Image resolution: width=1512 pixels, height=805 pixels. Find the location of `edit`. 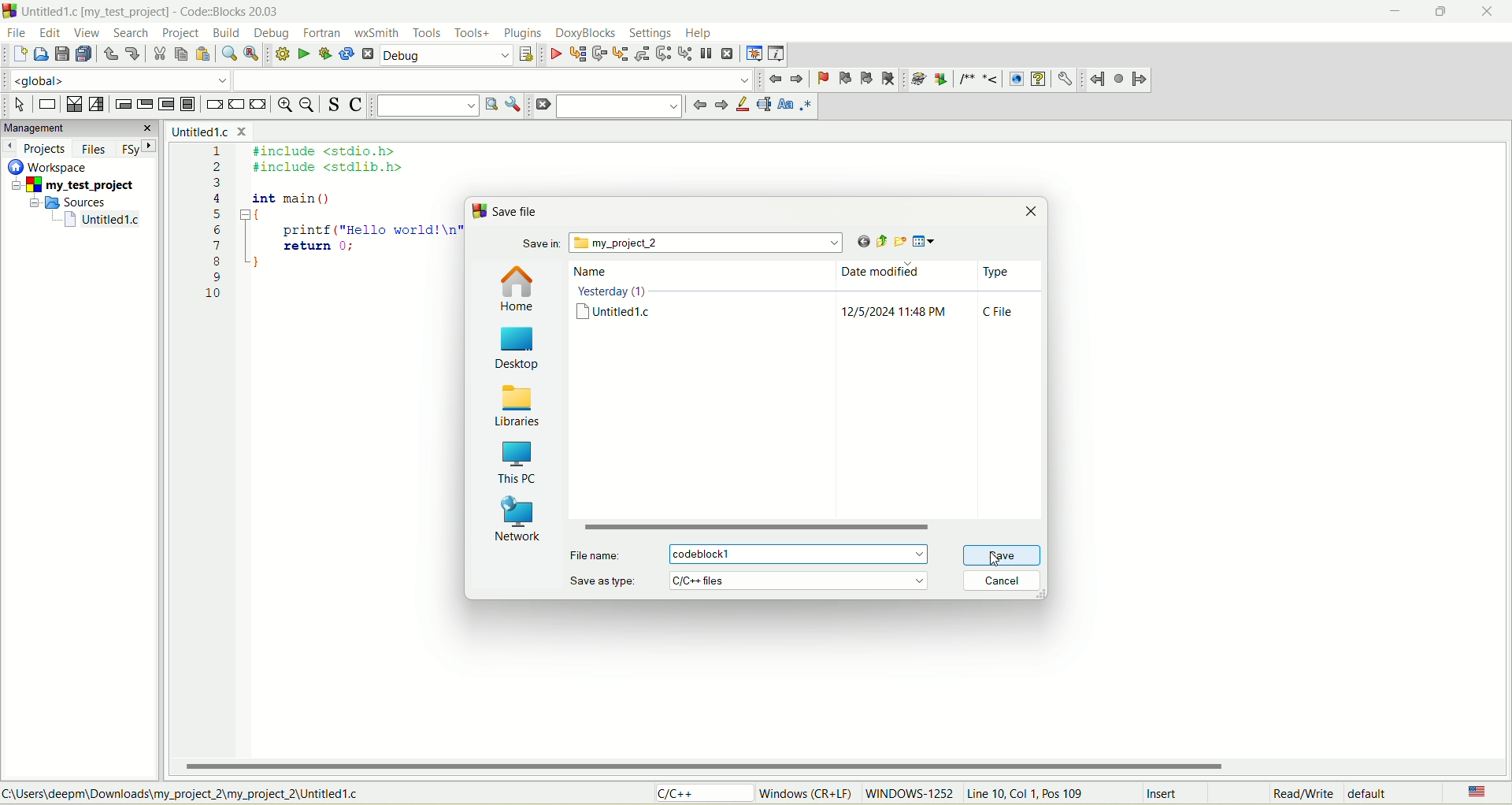

edit is located at coordinates (52, 33).